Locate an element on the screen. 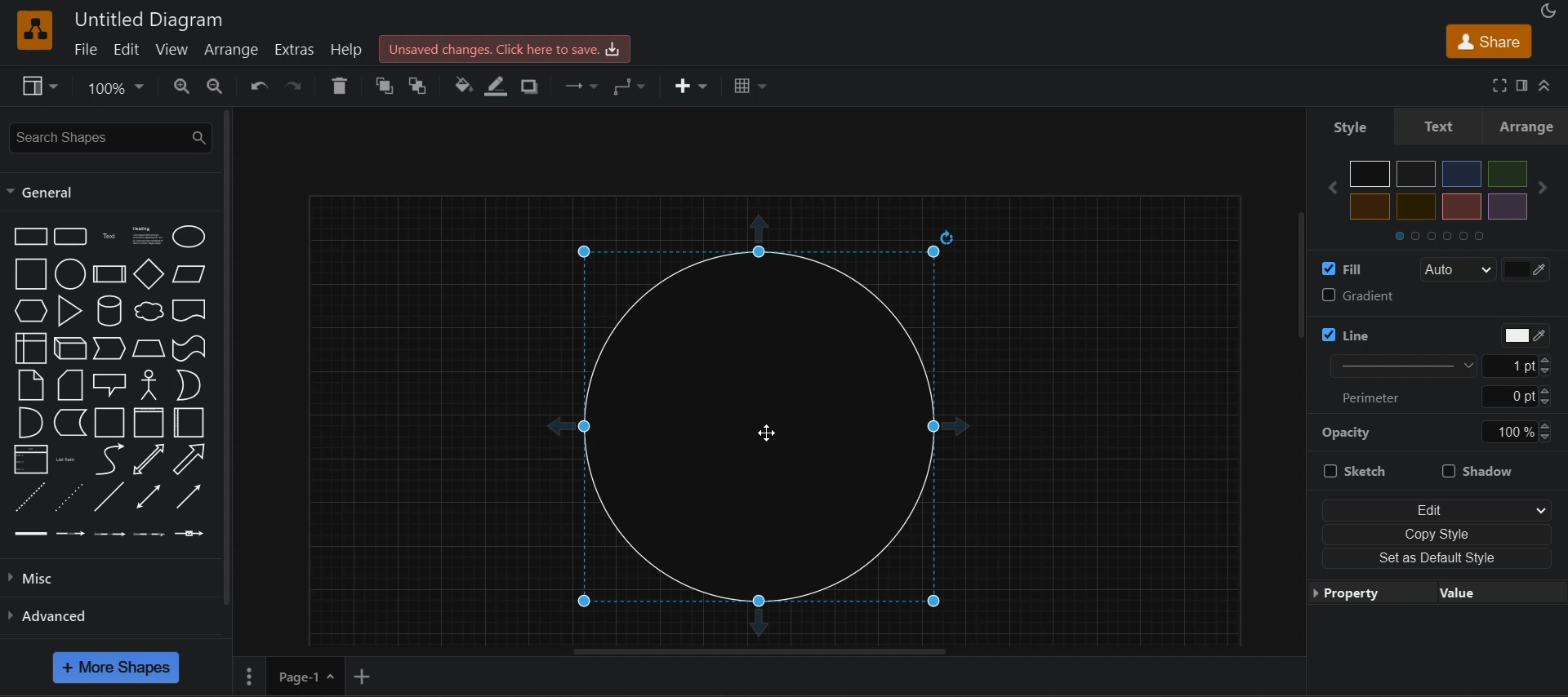 The image size is (1568, 697). table is located at coordinates (750, 85).